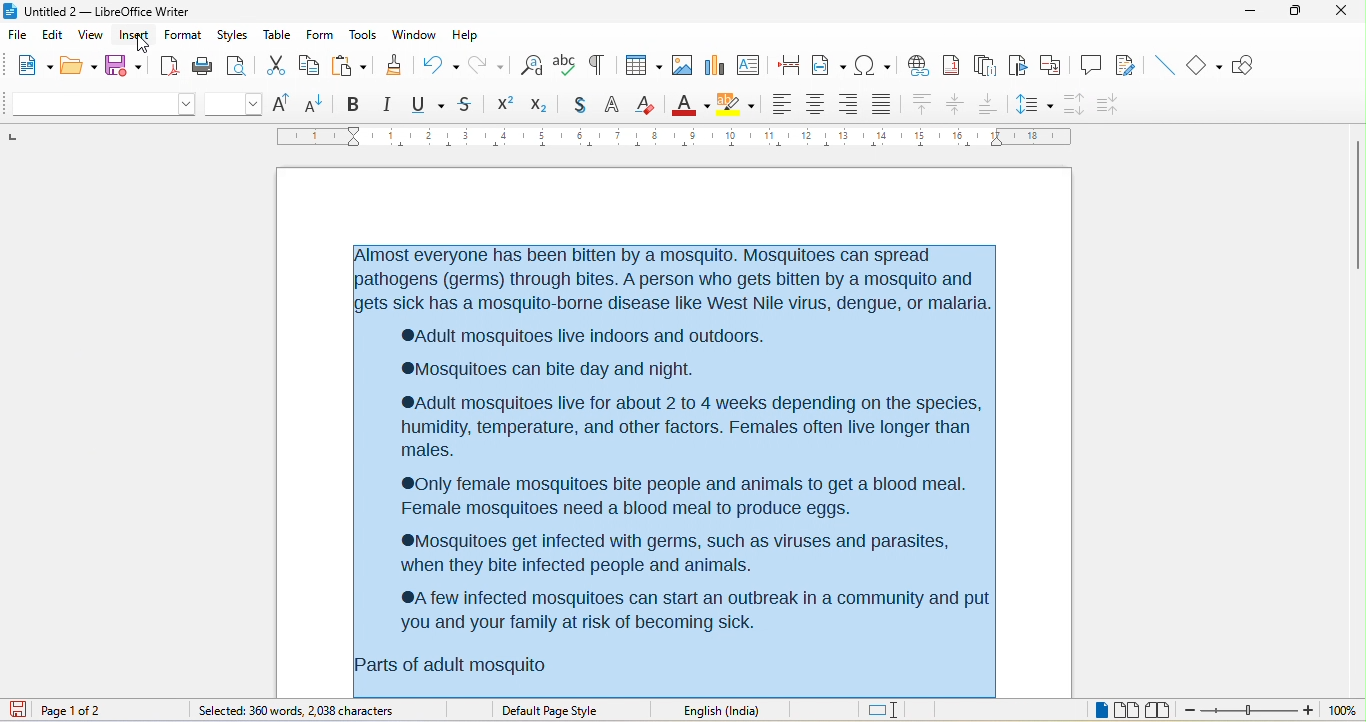 This screenshot has width=1366, height=722. What do you see at coordinates (363, 36) in the screenshot?
I see `tools` at bounding box center [363, 36].